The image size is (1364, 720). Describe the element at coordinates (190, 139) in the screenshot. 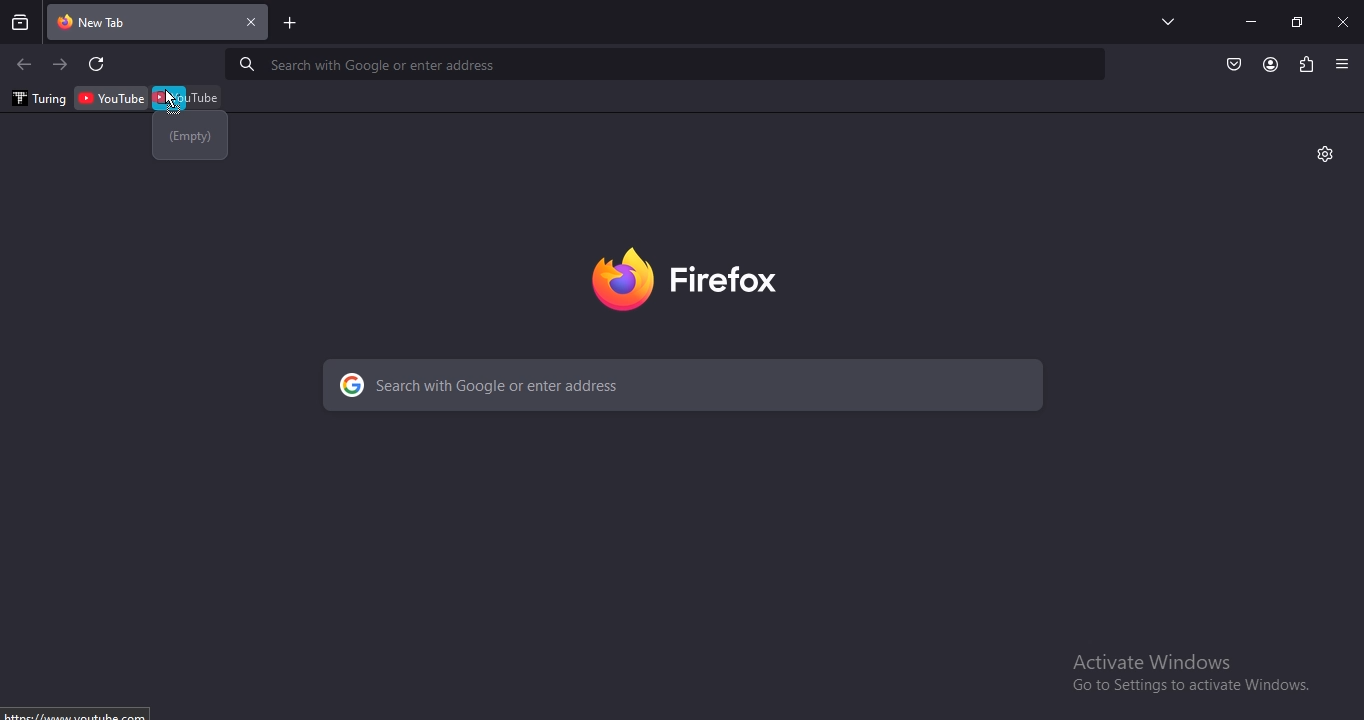

I see `emtpy` at that location.